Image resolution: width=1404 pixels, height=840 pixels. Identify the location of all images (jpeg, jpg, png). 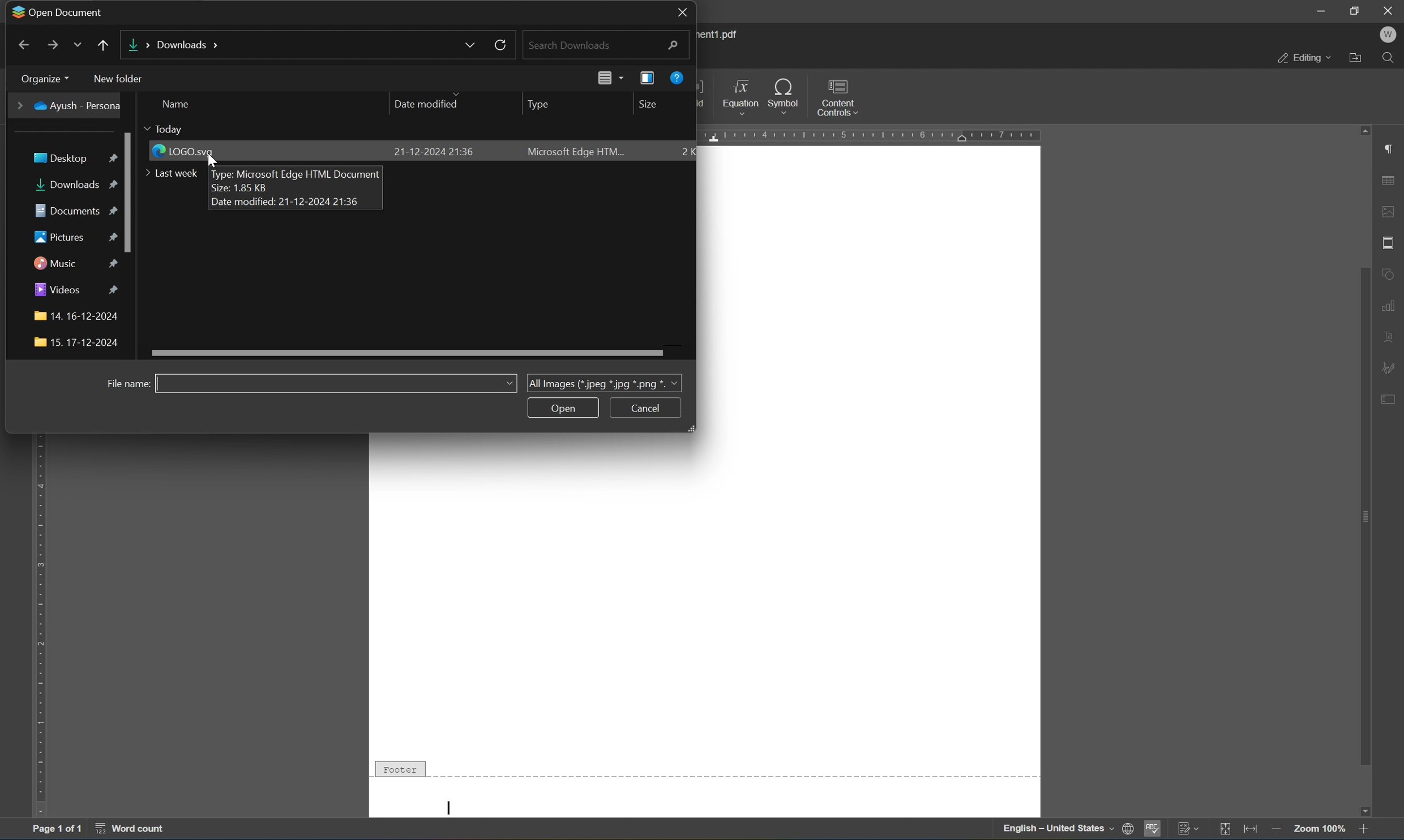
(604, 382).